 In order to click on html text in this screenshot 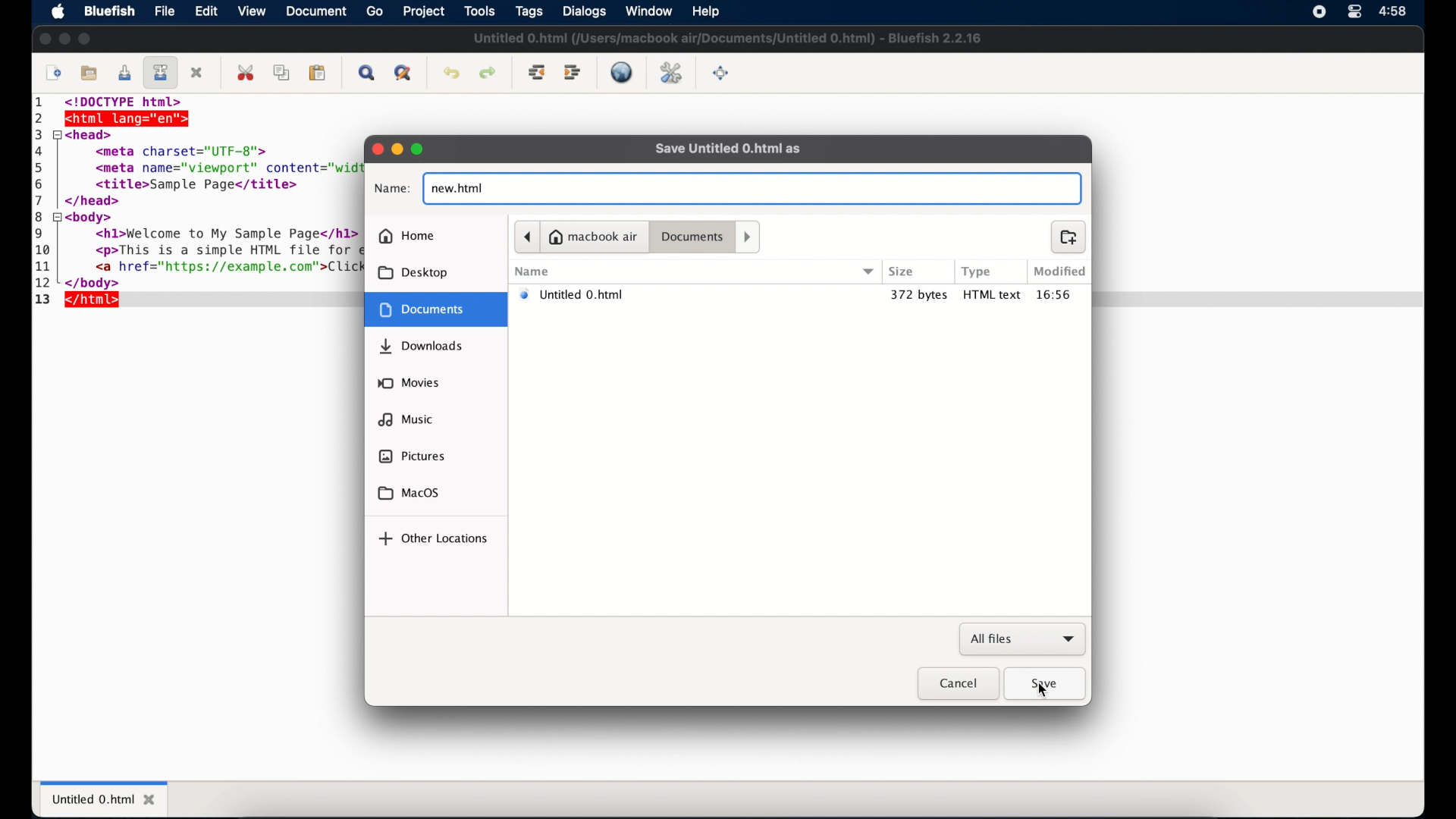, I will do `click(993, 294)`.